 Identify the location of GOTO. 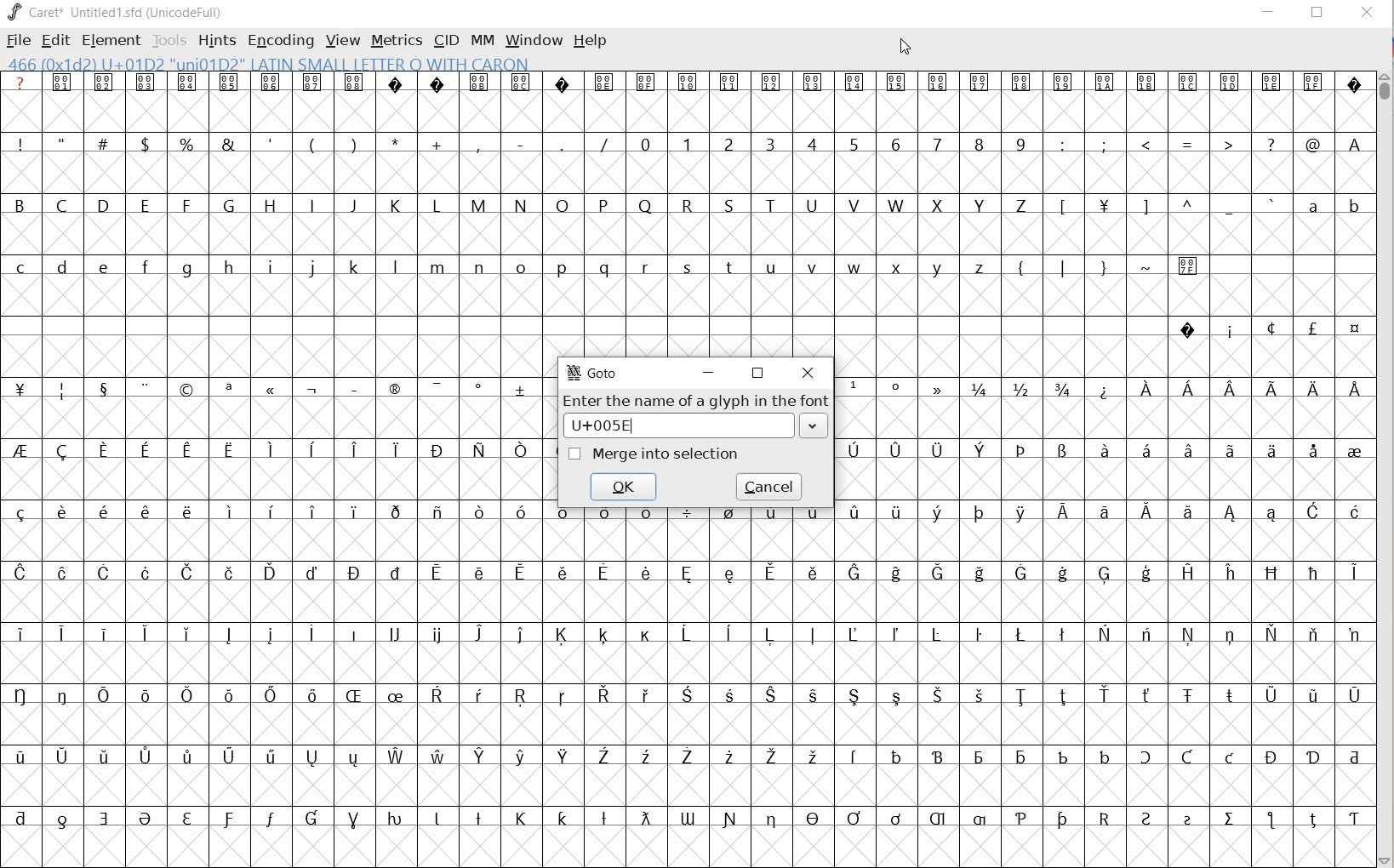
(594, 372).